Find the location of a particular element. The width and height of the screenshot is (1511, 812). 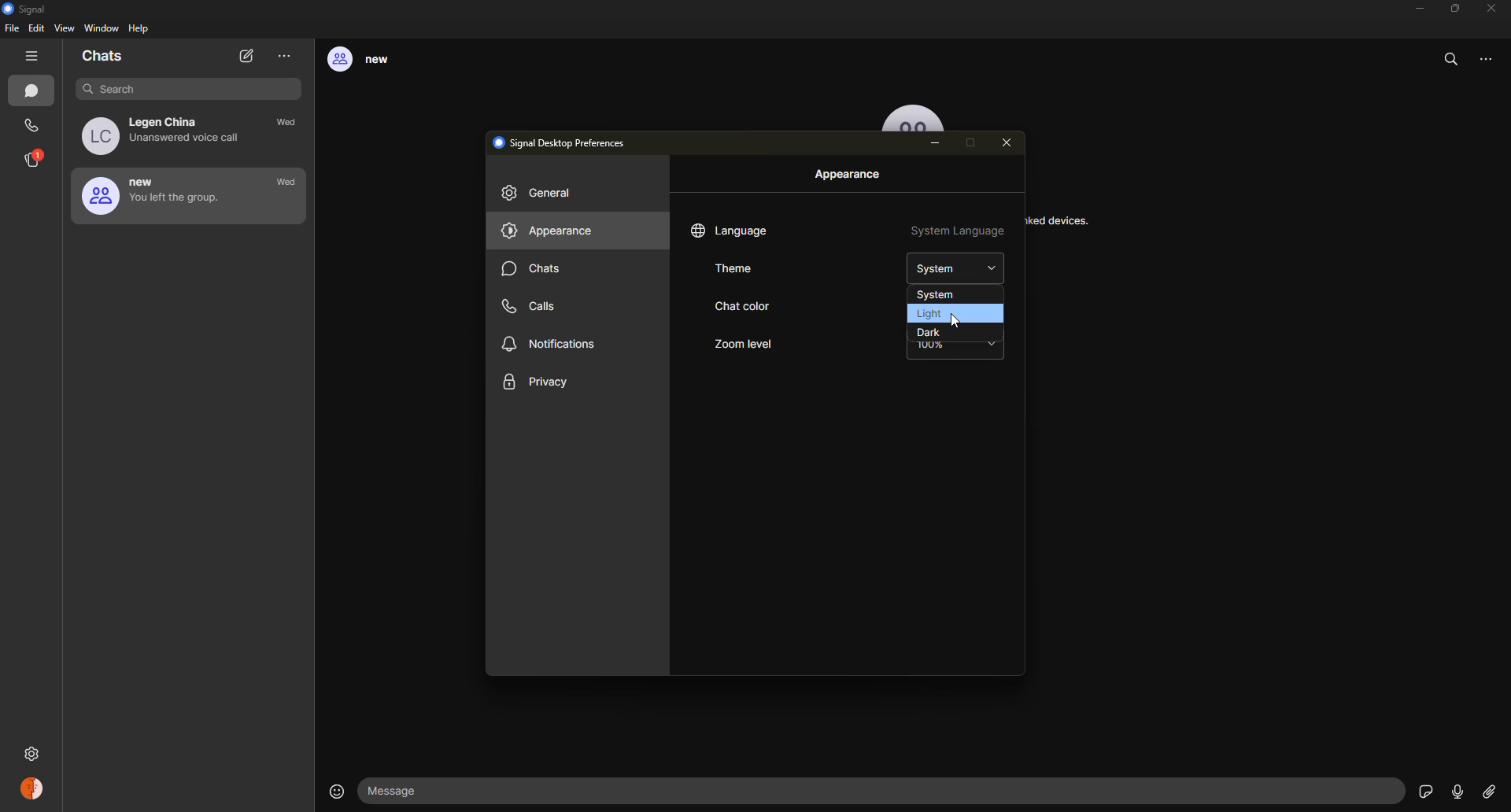

appearance is located at coordinates (850, 175).